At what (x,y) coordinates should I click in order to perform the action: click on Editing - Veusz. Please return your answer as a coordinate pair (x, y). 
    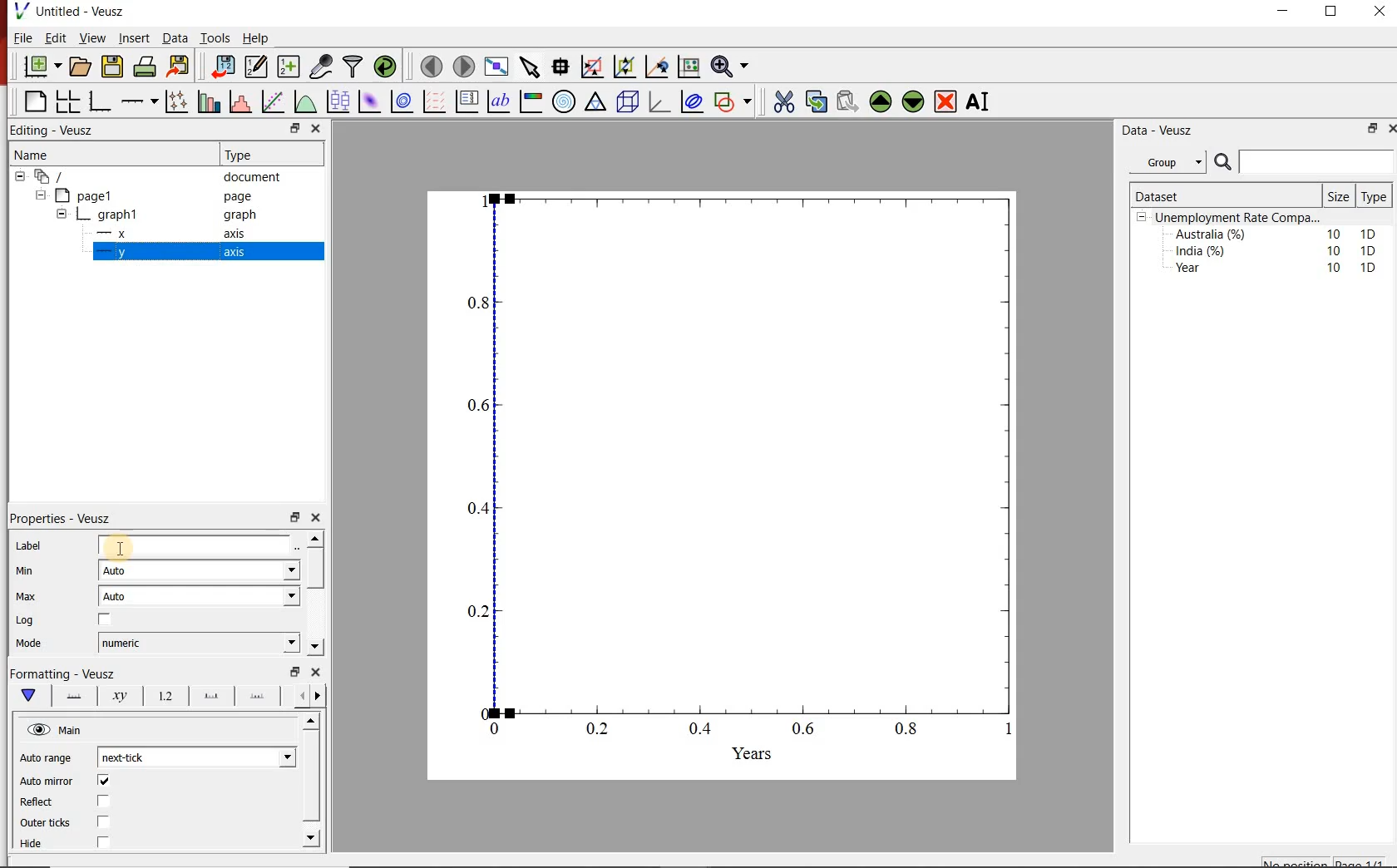
    Looking at the image, I should click on (55, 129).